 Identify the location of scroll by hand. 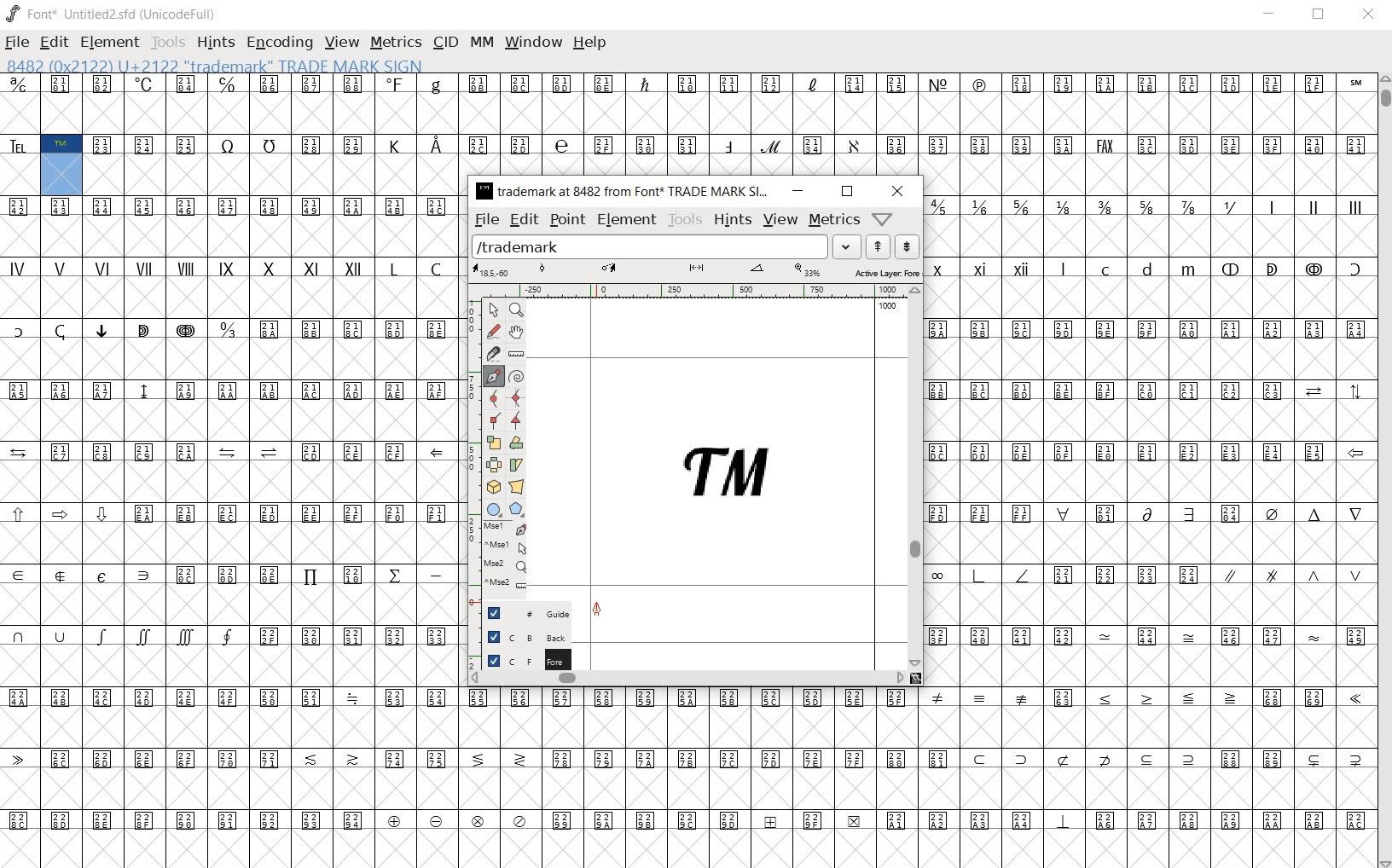
(517, 333).